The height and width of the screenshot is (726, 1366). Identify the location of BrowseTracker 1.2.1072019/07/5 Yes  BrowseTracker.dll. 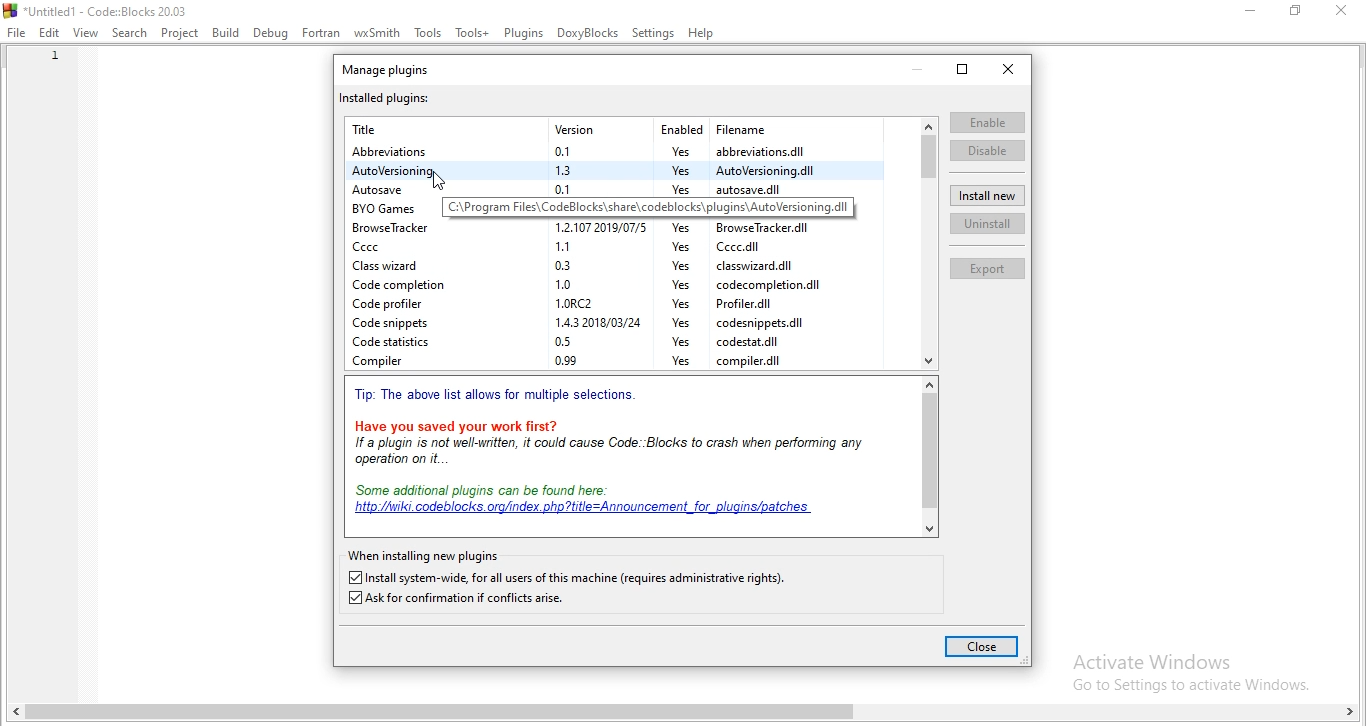
(581, 228).